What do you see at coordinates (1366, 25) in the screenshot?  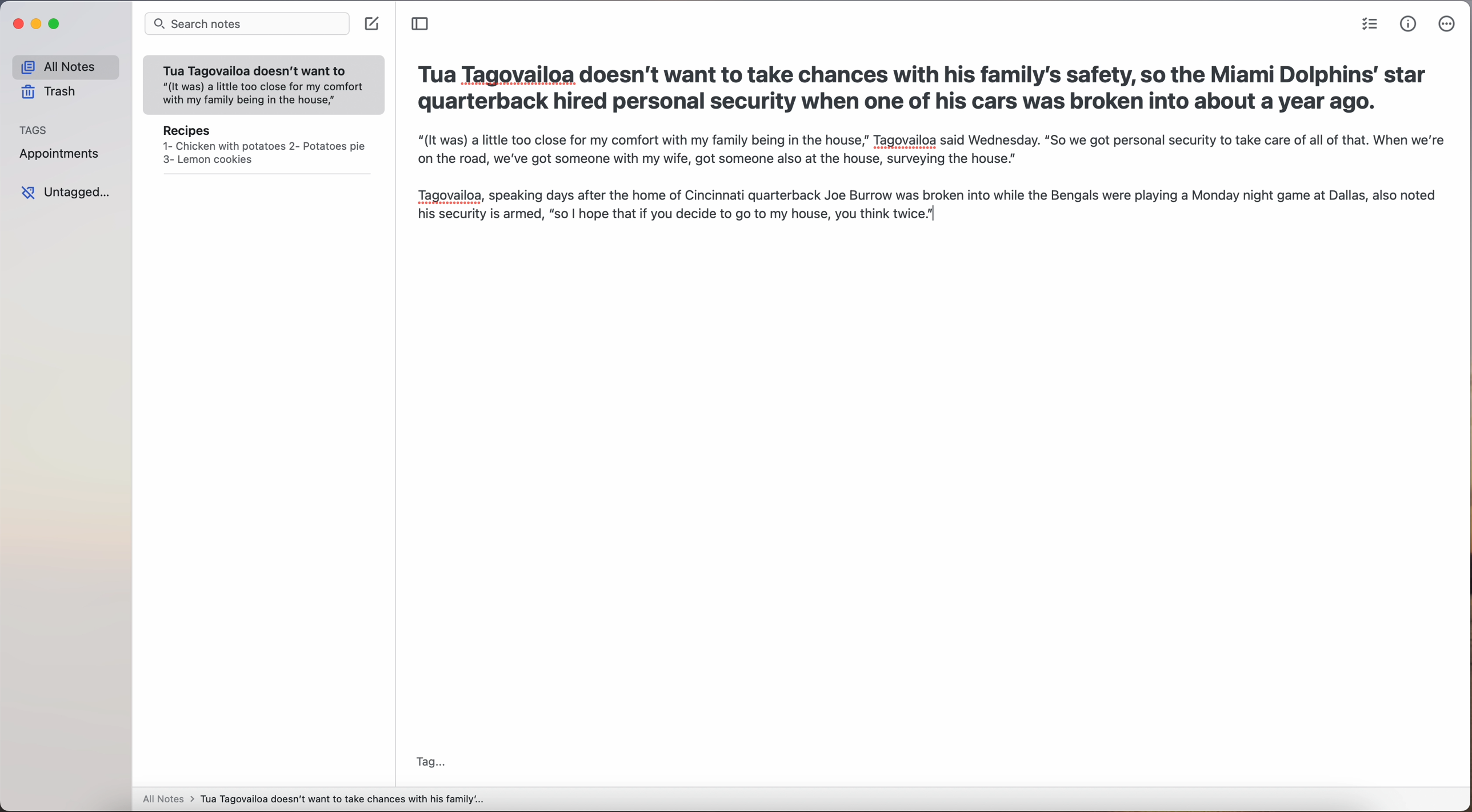 I see `check list` at bounding box center [1366, 25].